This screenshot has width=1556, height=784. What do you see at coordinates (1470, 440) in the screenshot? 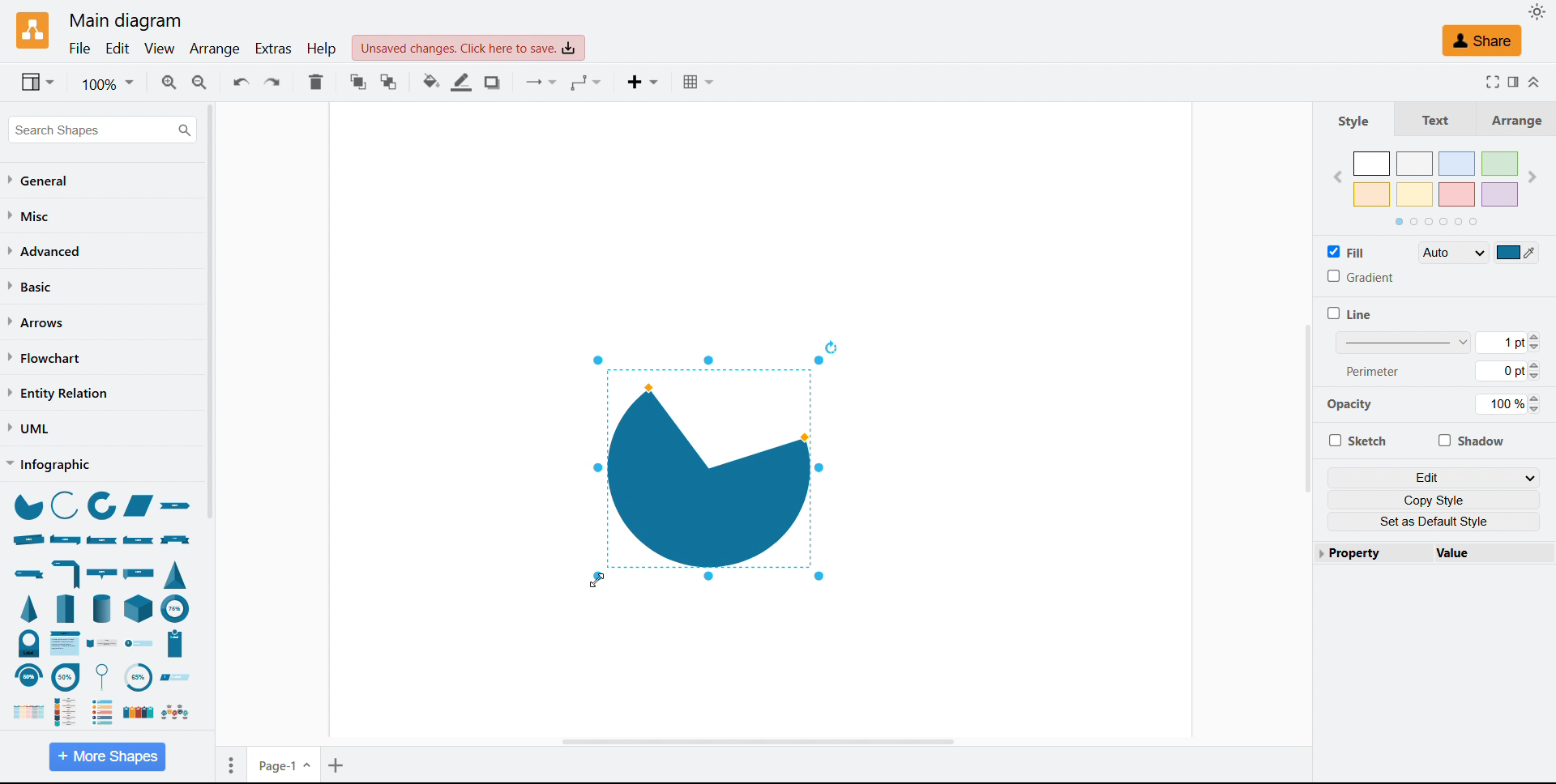
I see `Shadow ` at bounding box center [1470, 440].